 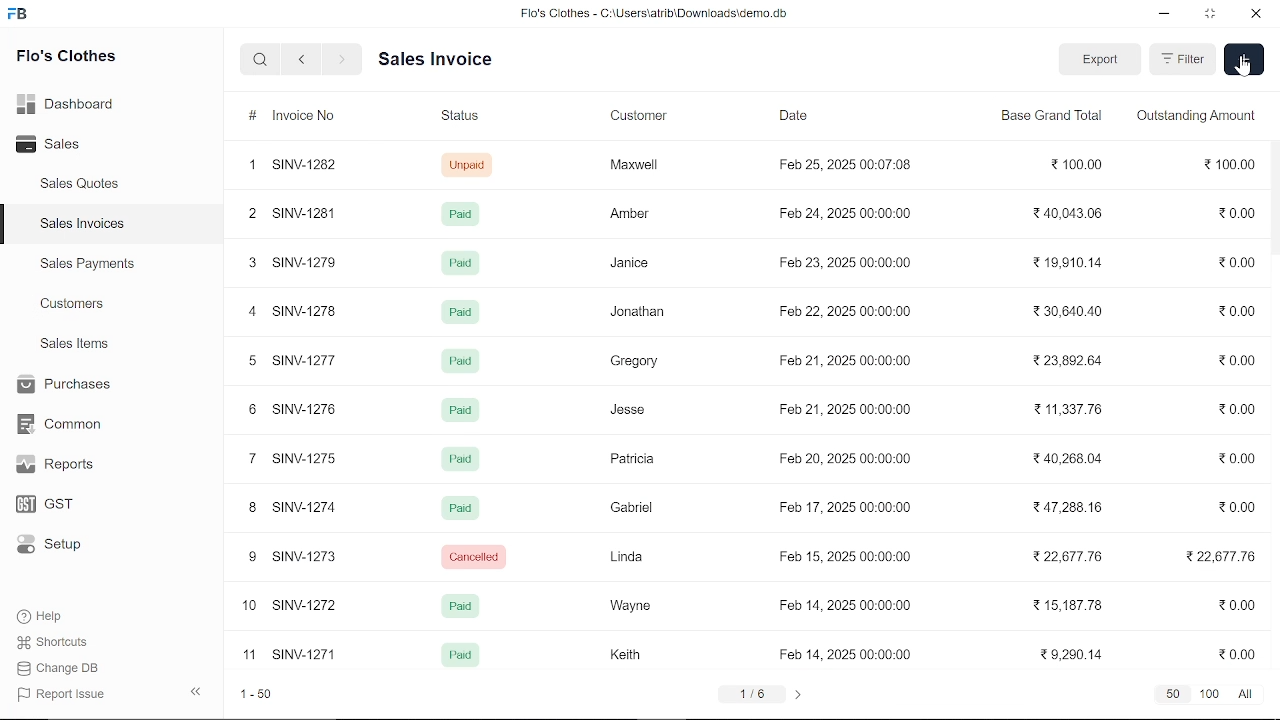 I want to click on 9 SINV-1273 Cancelled. Linda Feb 15, 2025 00:00:00 X22677.76 X22677.76, so click(x=750, y=555).